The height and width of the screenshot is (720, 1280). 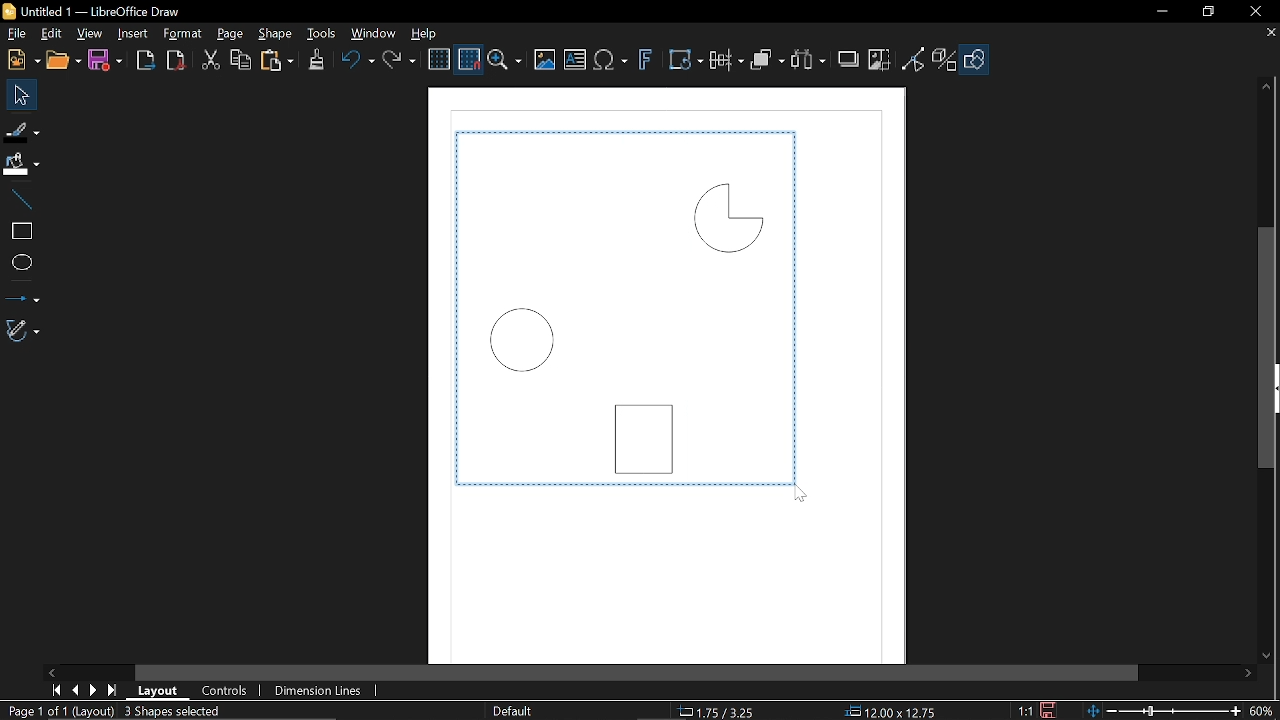 I want to click on Shape, so click(x=275, y=34).